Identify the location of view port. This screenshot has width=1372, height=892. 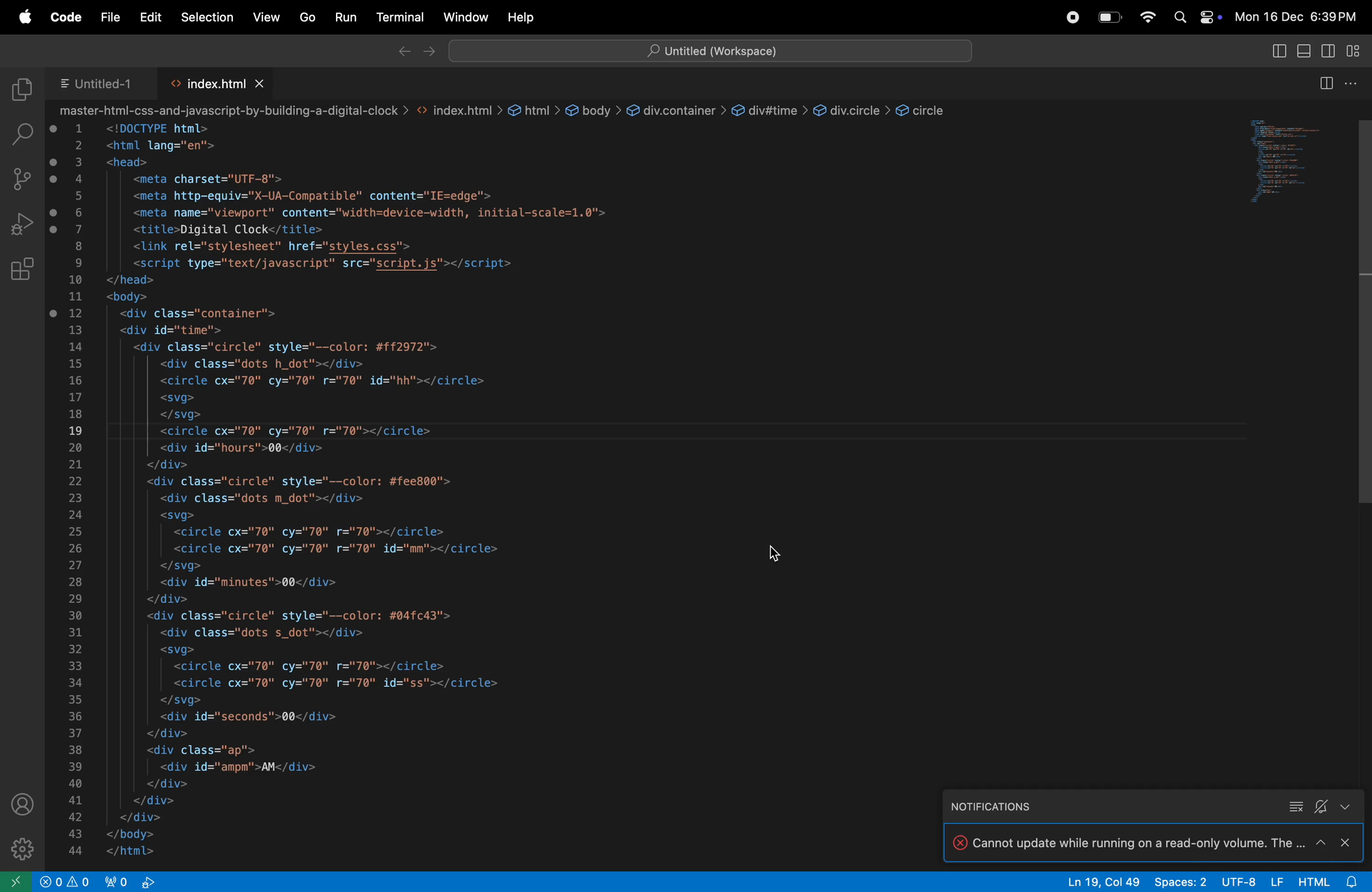
(138, 880).